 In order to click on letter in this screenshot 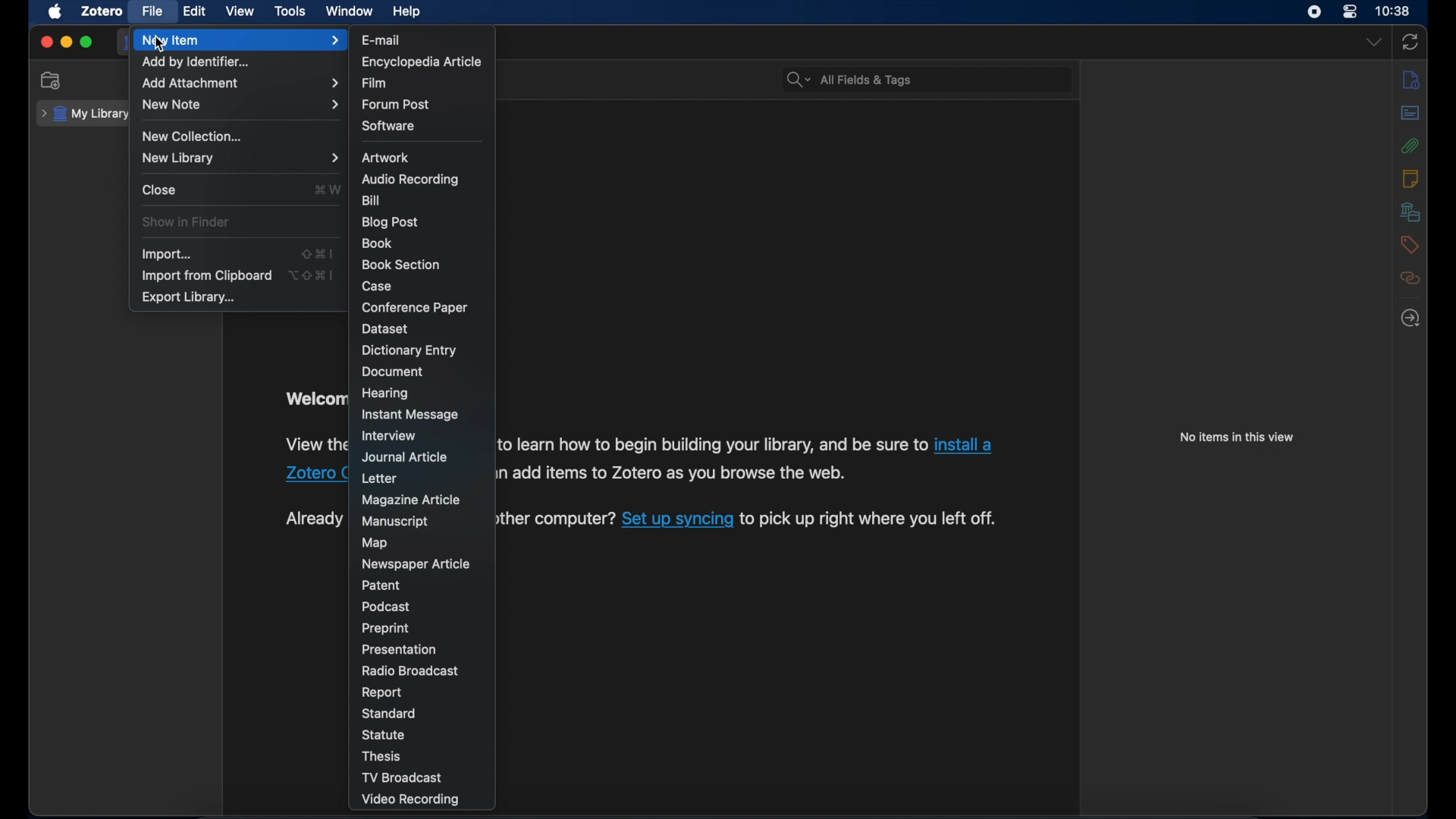, I will do `click(391, 479)`.